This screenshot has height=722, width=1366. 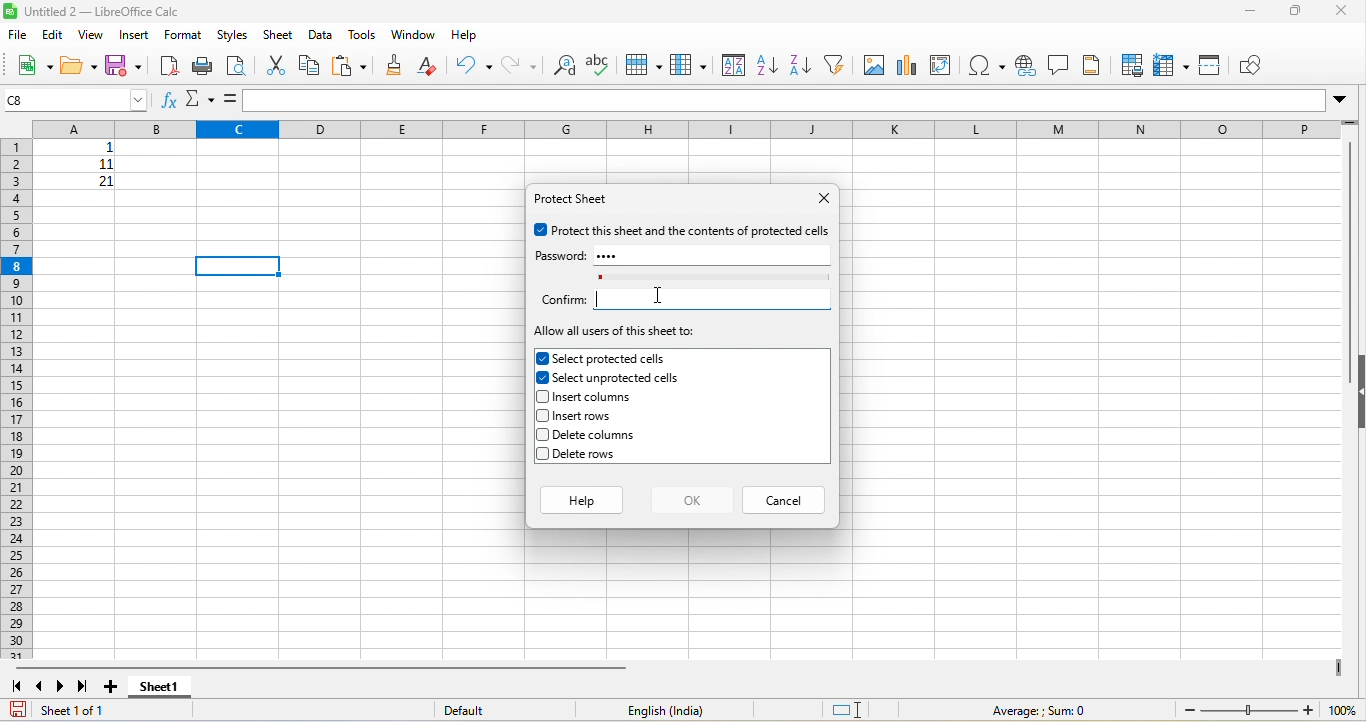 I want to click on insert, so click(x=135, y=35).